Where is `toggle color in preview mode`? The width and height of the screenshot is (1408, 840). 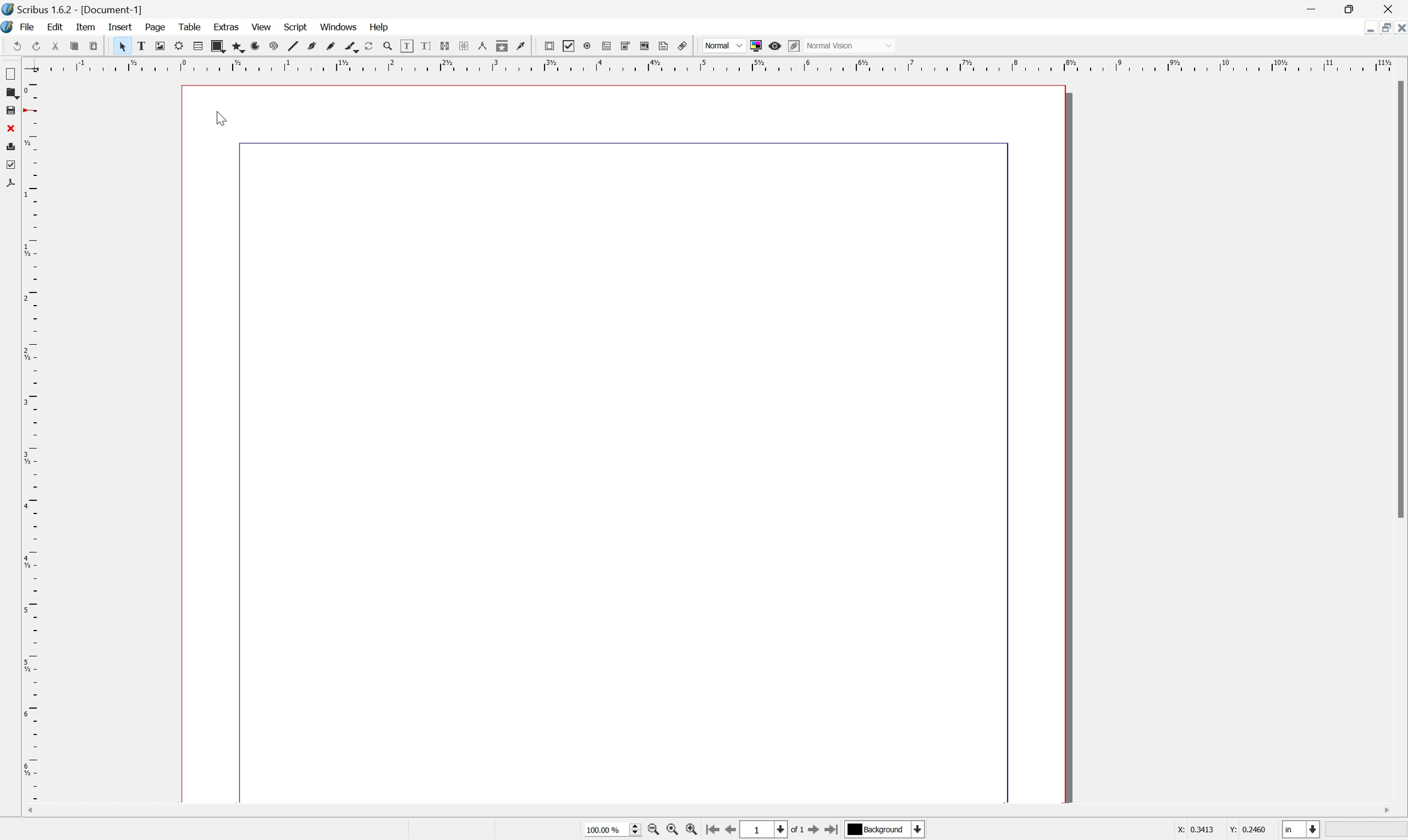
toggle color in preview mode is located at coordinates (756, 45).